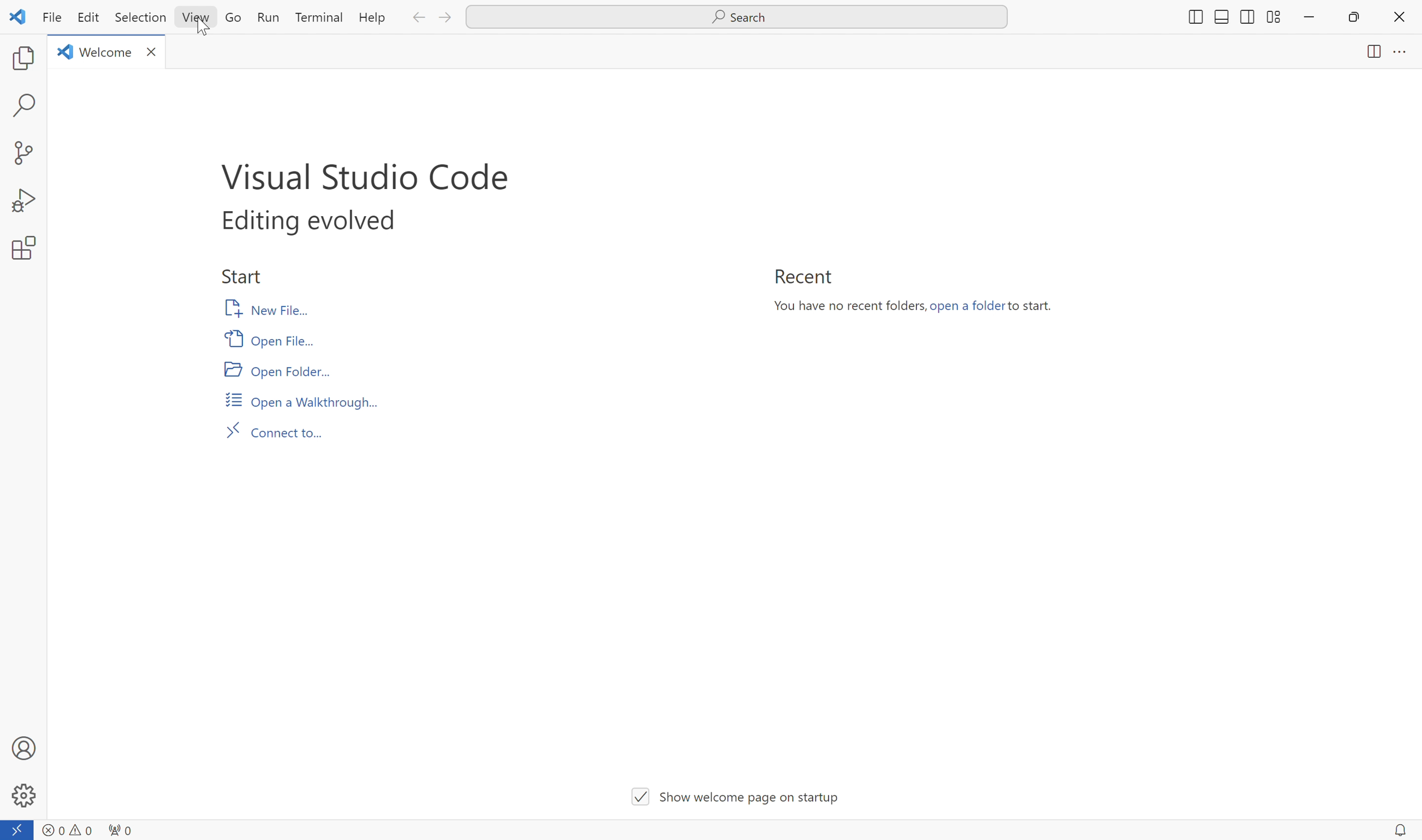  I want to click on Go, so click(234, 20).